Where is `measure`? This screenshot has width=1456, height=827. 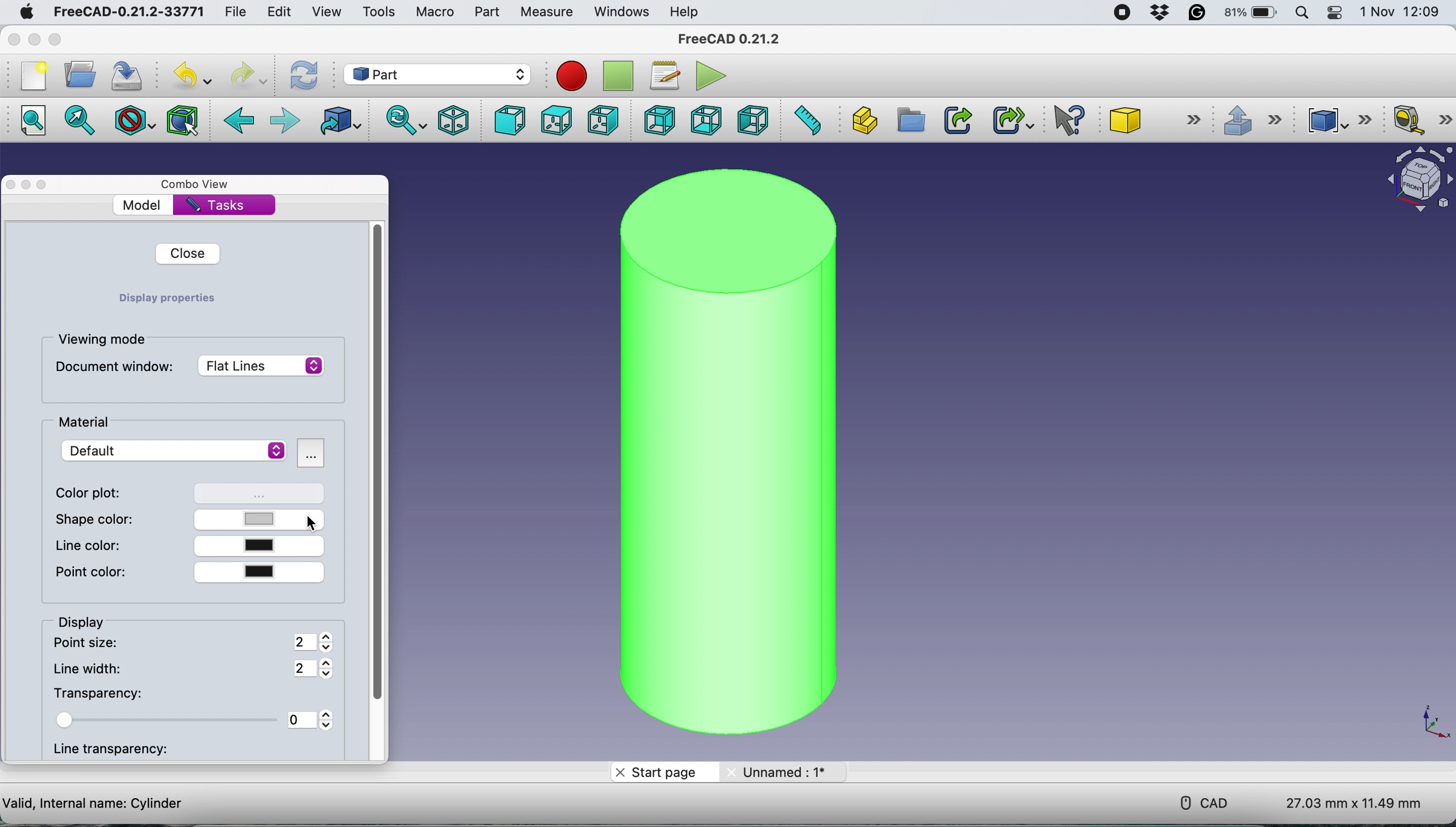
measure is located at coordinates (548, 12).